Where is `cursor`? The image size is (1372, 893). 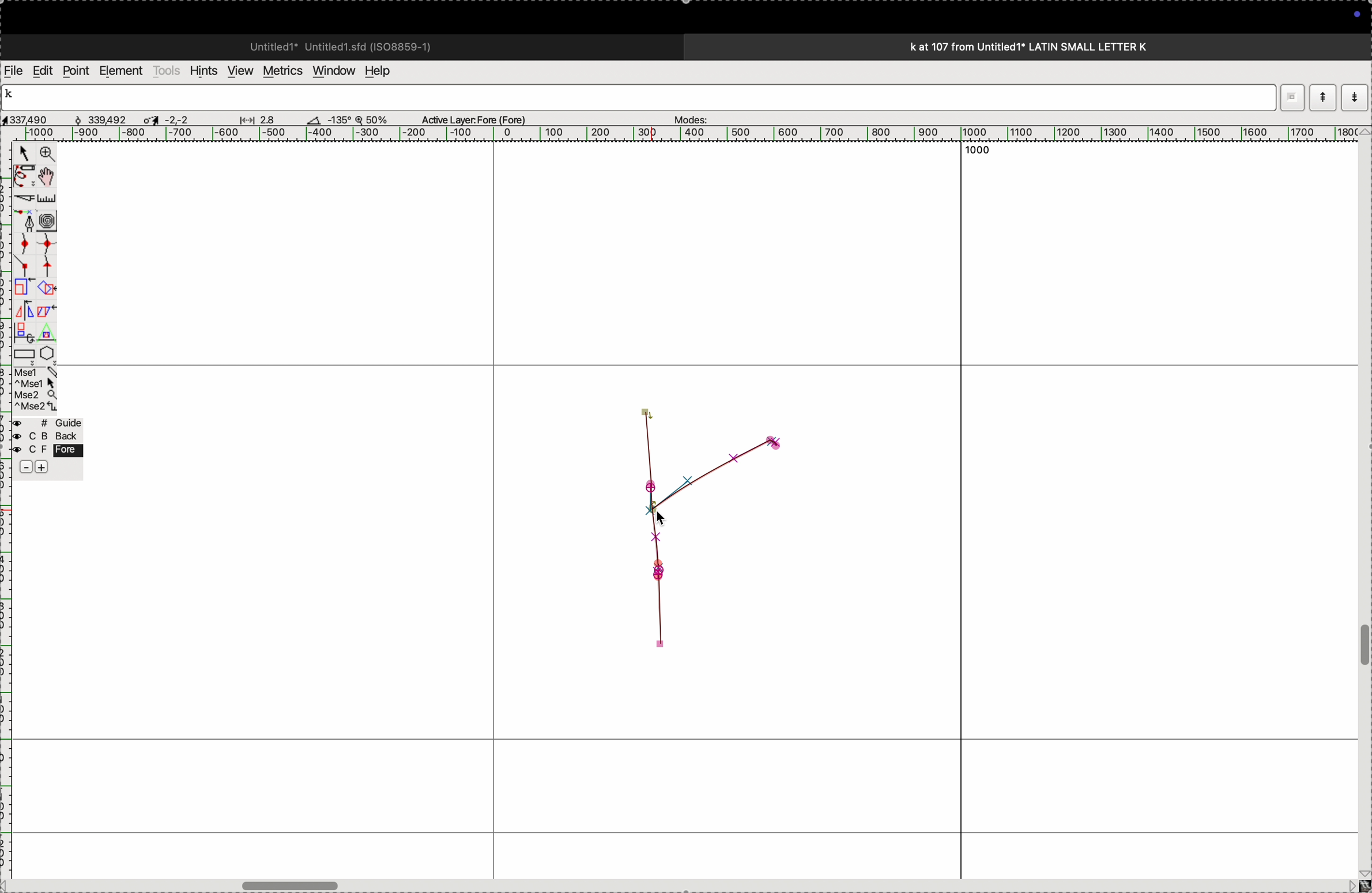 cursor is located at coordinates (24, 155).